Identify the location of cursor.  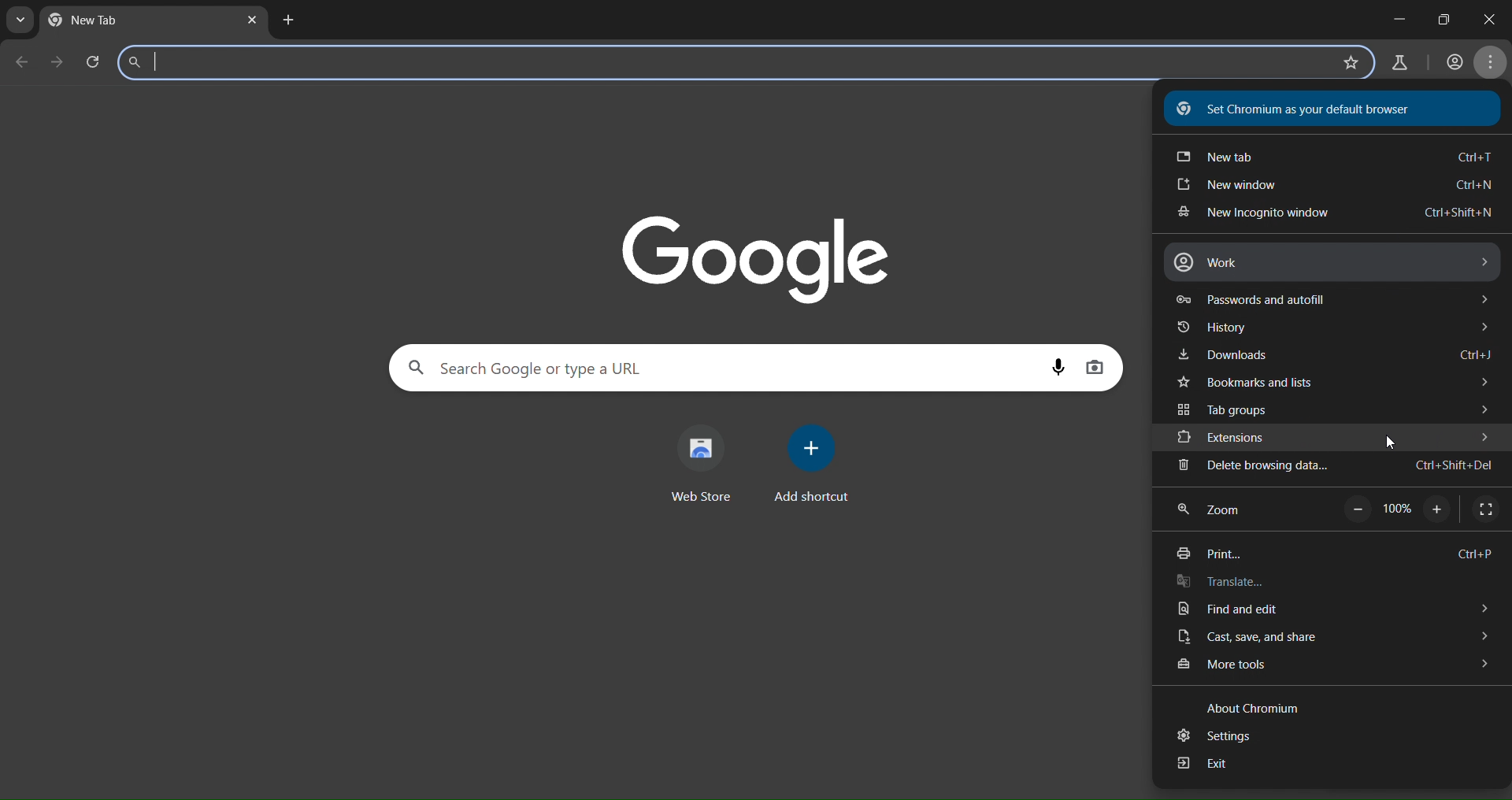
(1396, 441).